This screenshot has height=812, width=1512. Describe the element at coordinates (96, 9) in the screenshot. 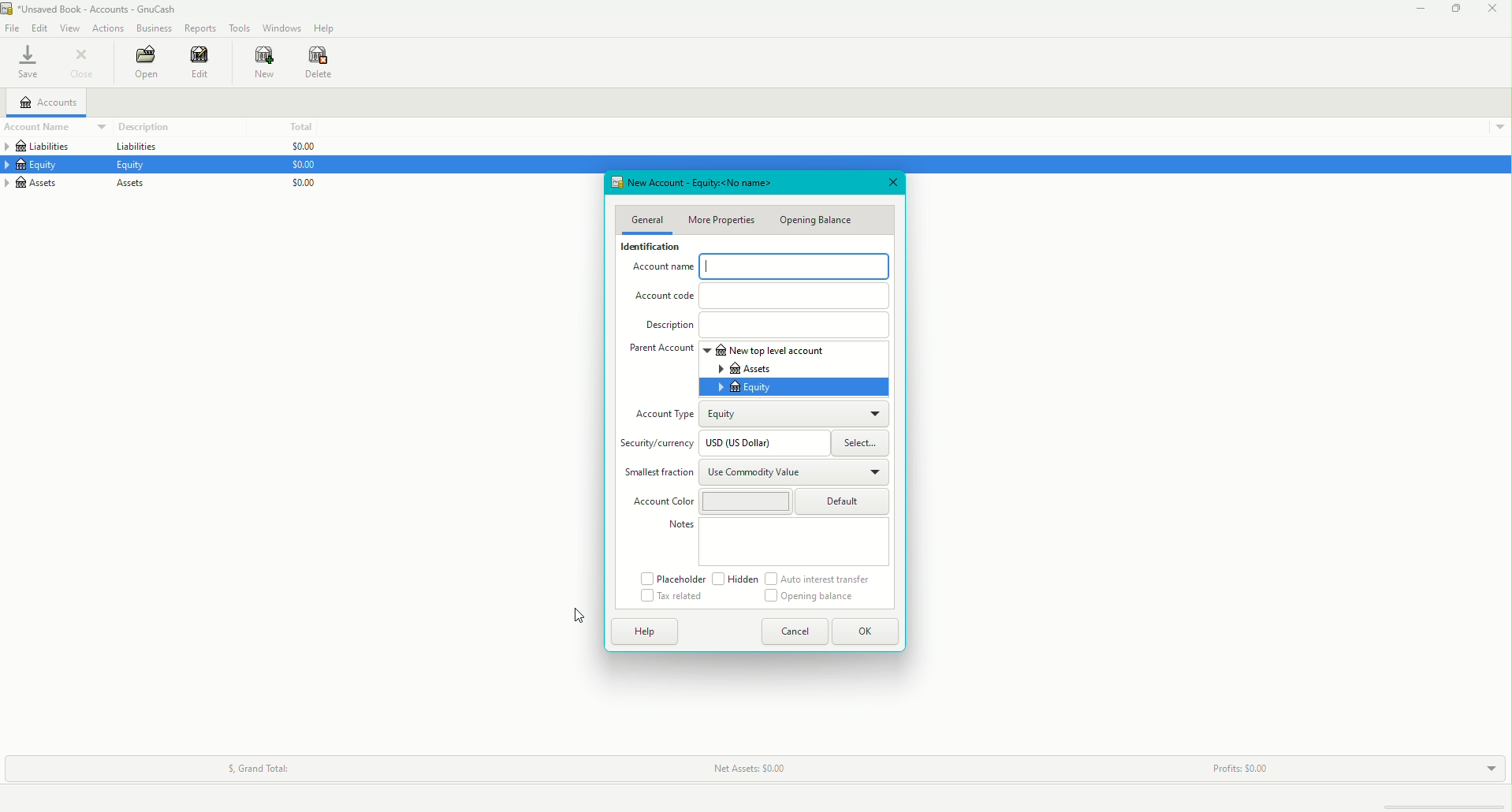

I see `unsaved book` at that location.